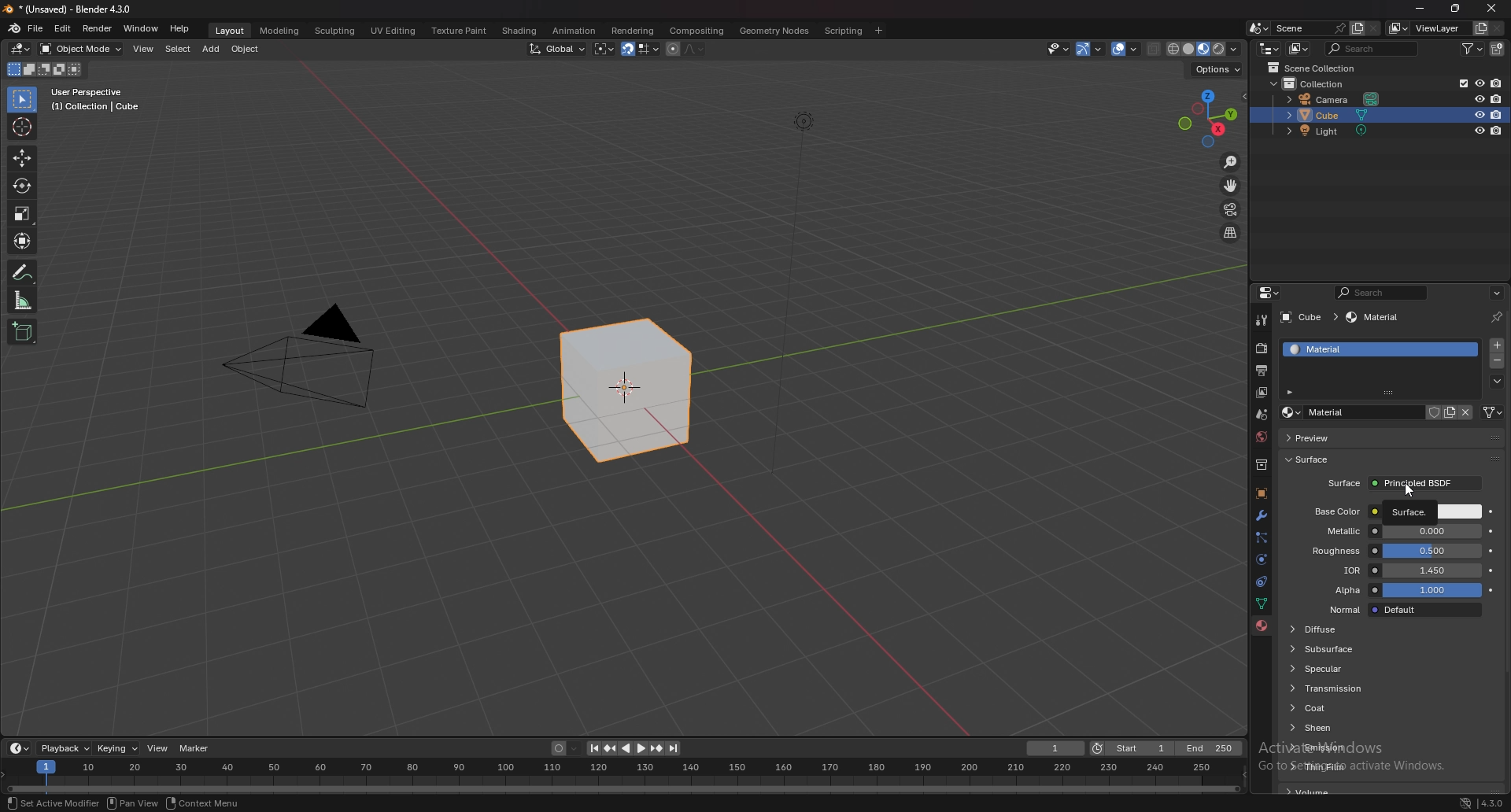 This screenshot has height=812, width=1511. I want to click on tool, so click(1262, 319).